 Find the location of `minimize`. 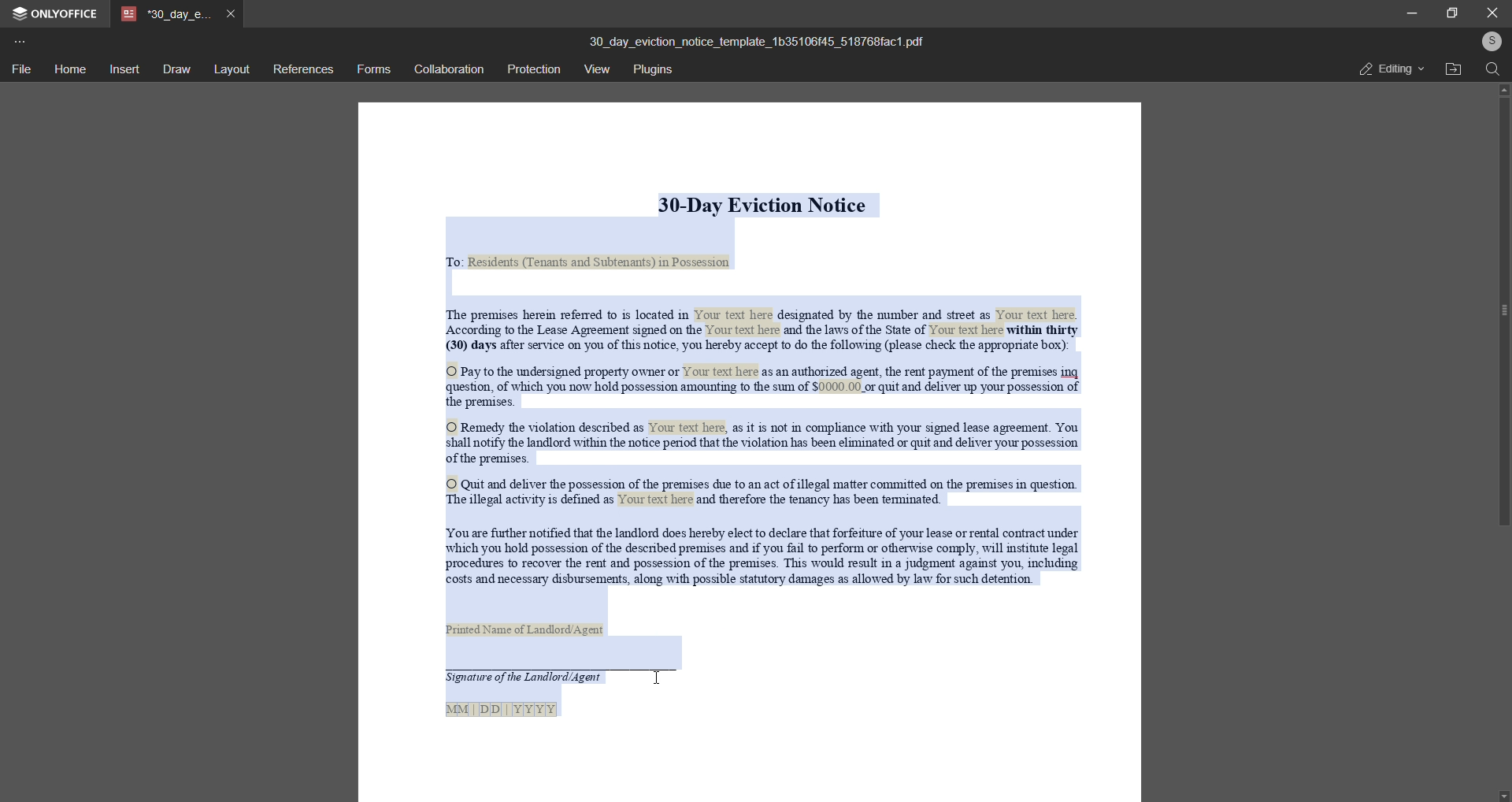

minimize is located at coordinates (1410, 13).